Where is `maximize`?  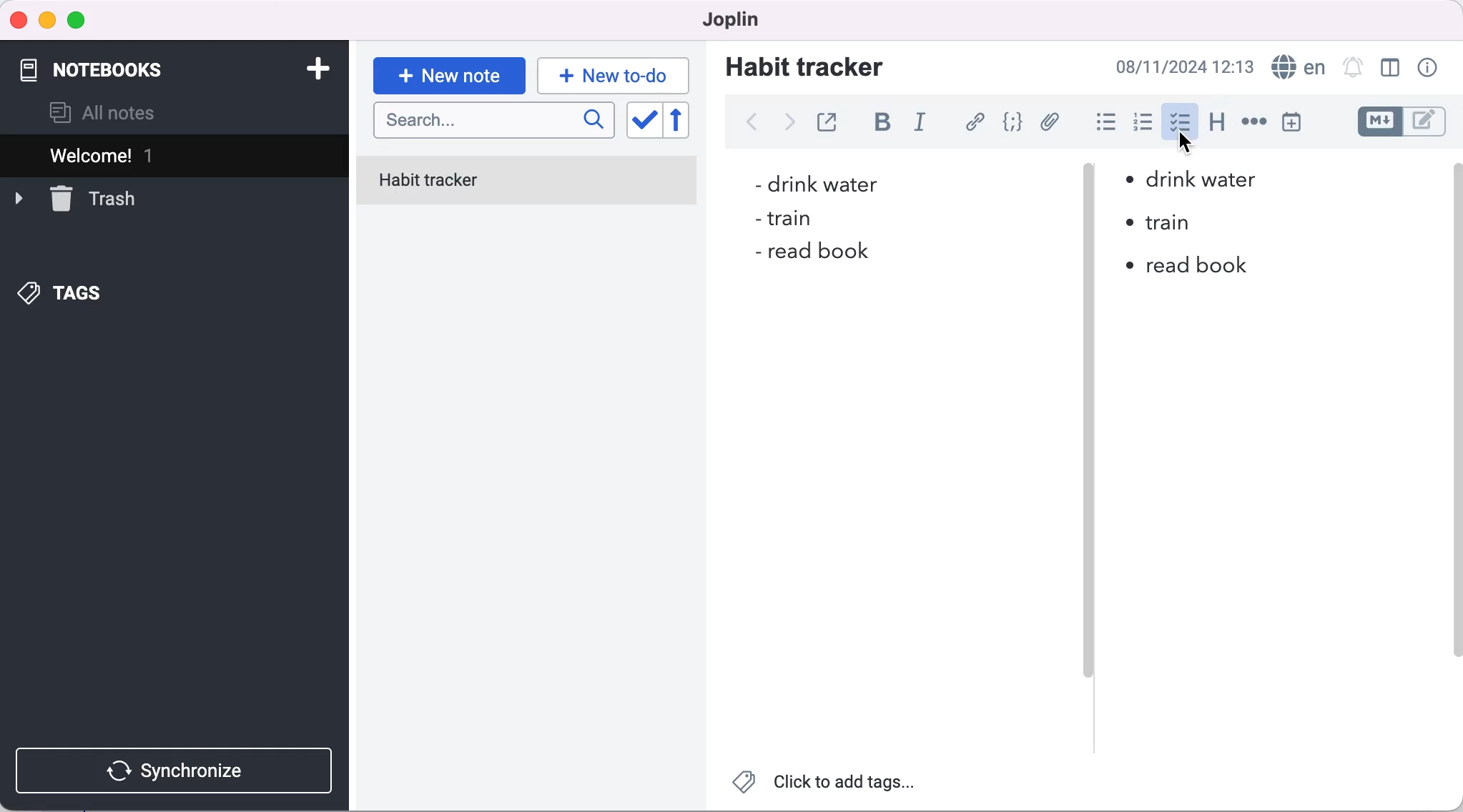 maximize is located at coordinates (79, 21).